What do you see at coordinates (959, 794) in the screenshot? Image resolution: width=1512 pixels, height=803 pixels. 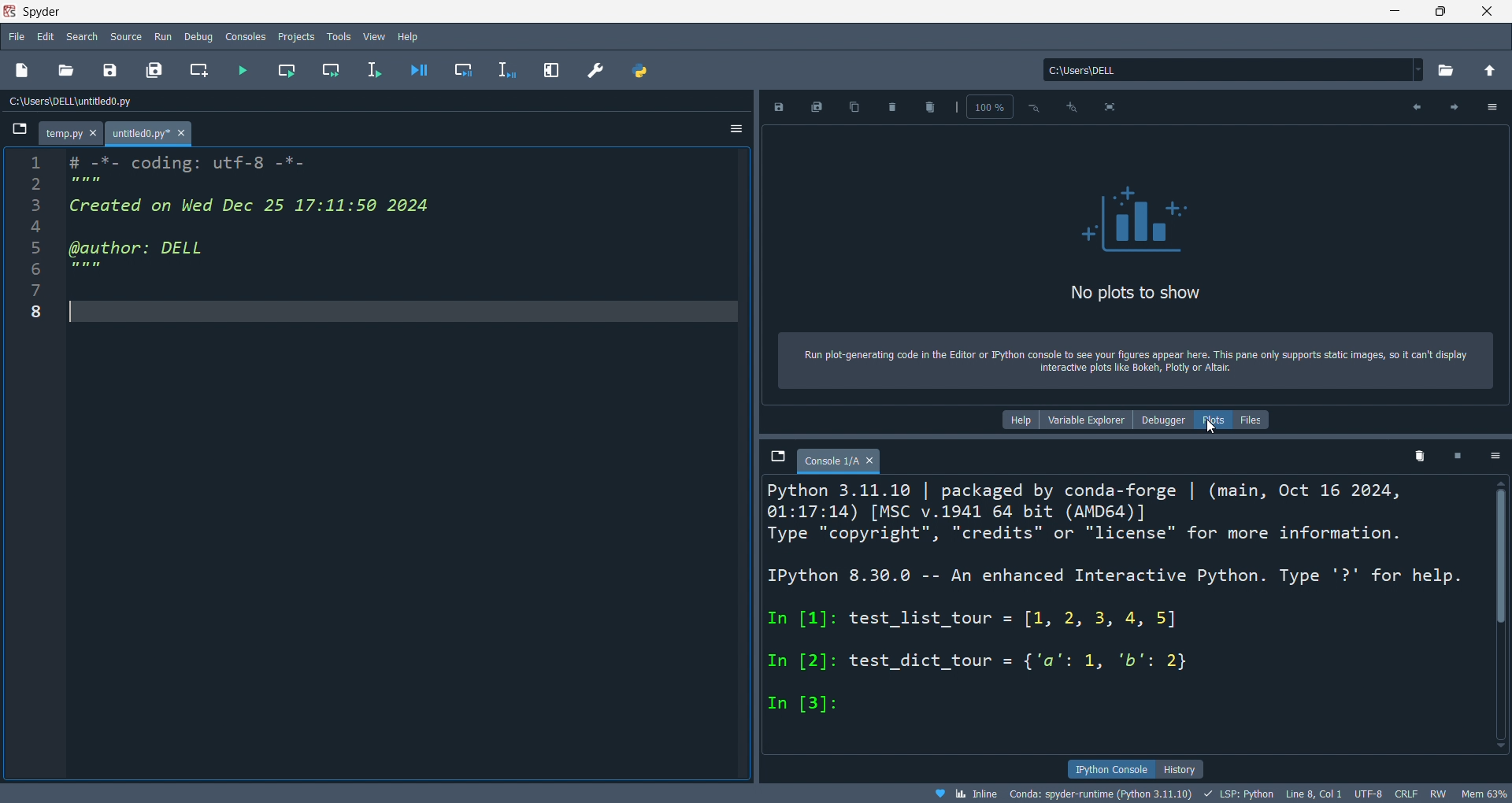 I see `inline` at bounding box center [959, 794].